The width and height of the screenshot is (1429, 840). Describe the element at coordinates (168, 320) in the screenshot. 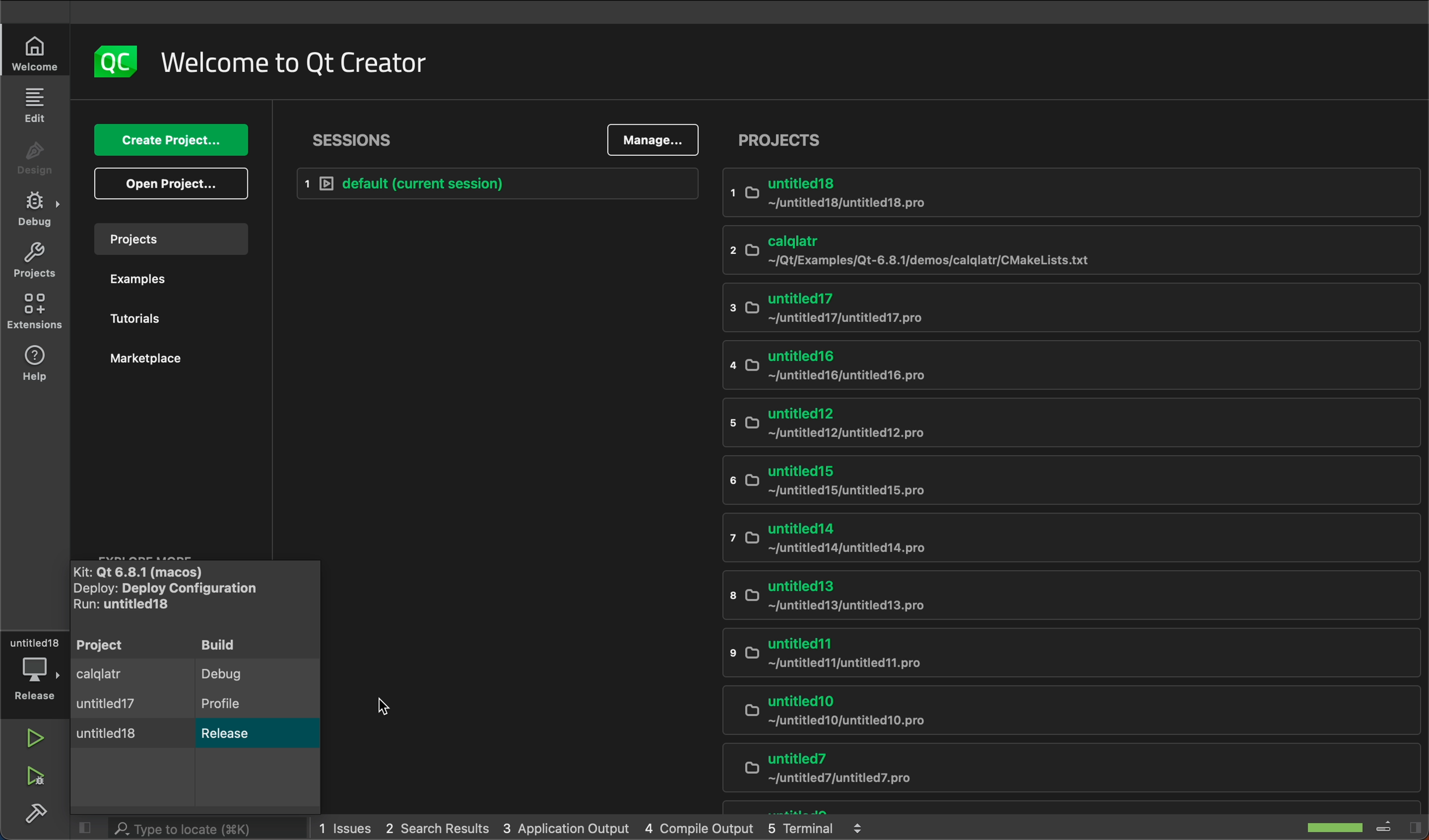

I see `tutorials` at that location.